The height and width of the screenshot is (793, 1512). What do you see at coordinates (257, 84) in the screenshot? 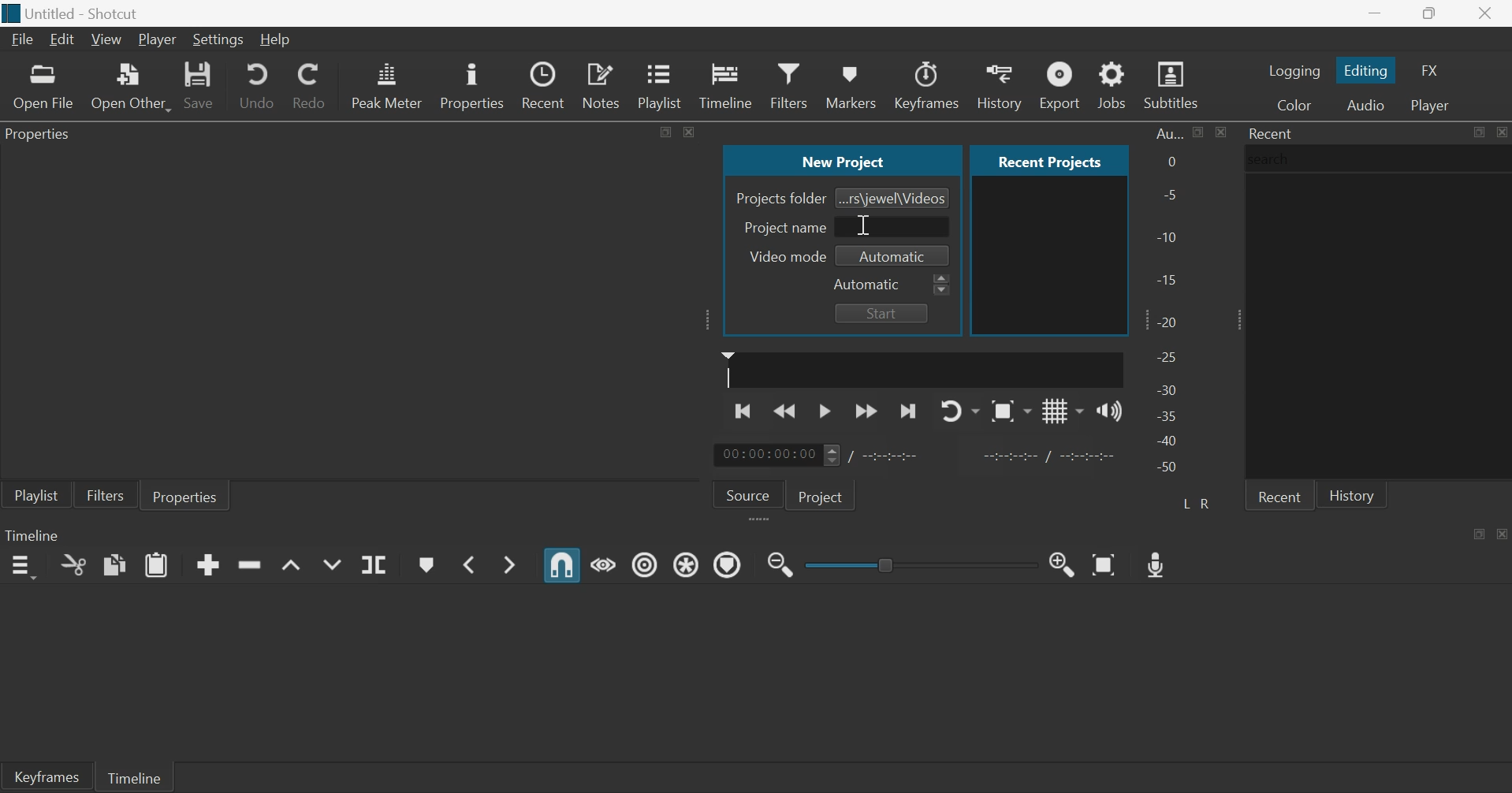
I see `Undo` at bounding box center [257, 84].